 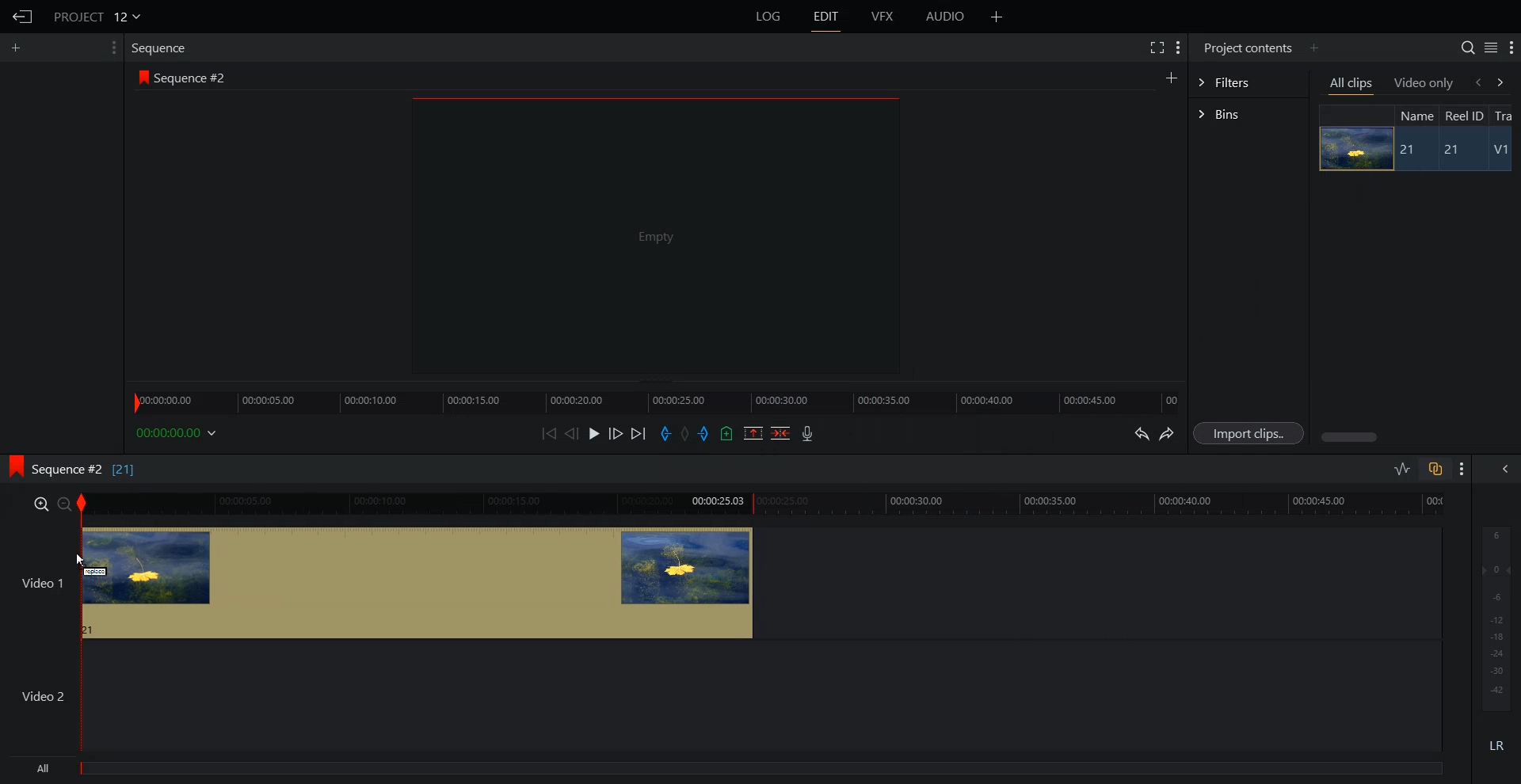 What do you see at coordinates (1435, 469) in the screenshot?
I see `Toggle auto Track sync` at bounding box center [1435, 469].